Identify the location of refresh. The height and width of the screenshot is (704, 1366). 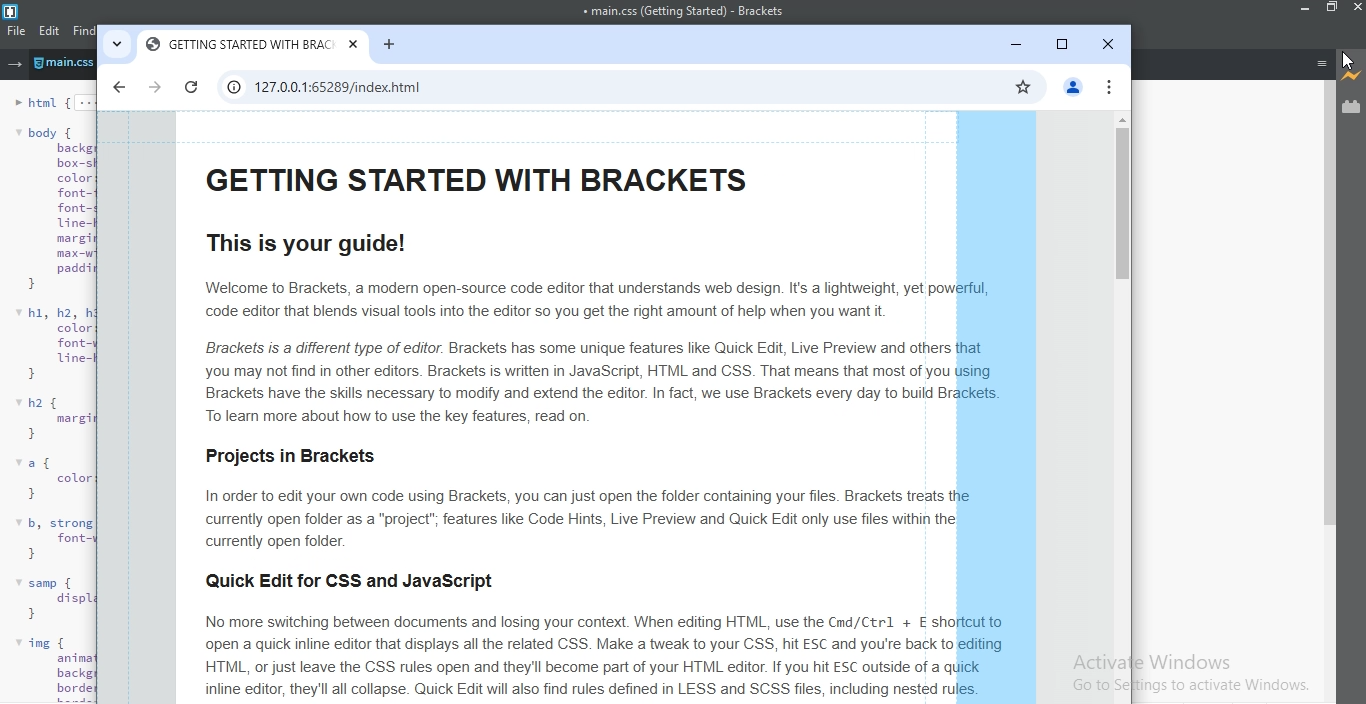
(192, 88).